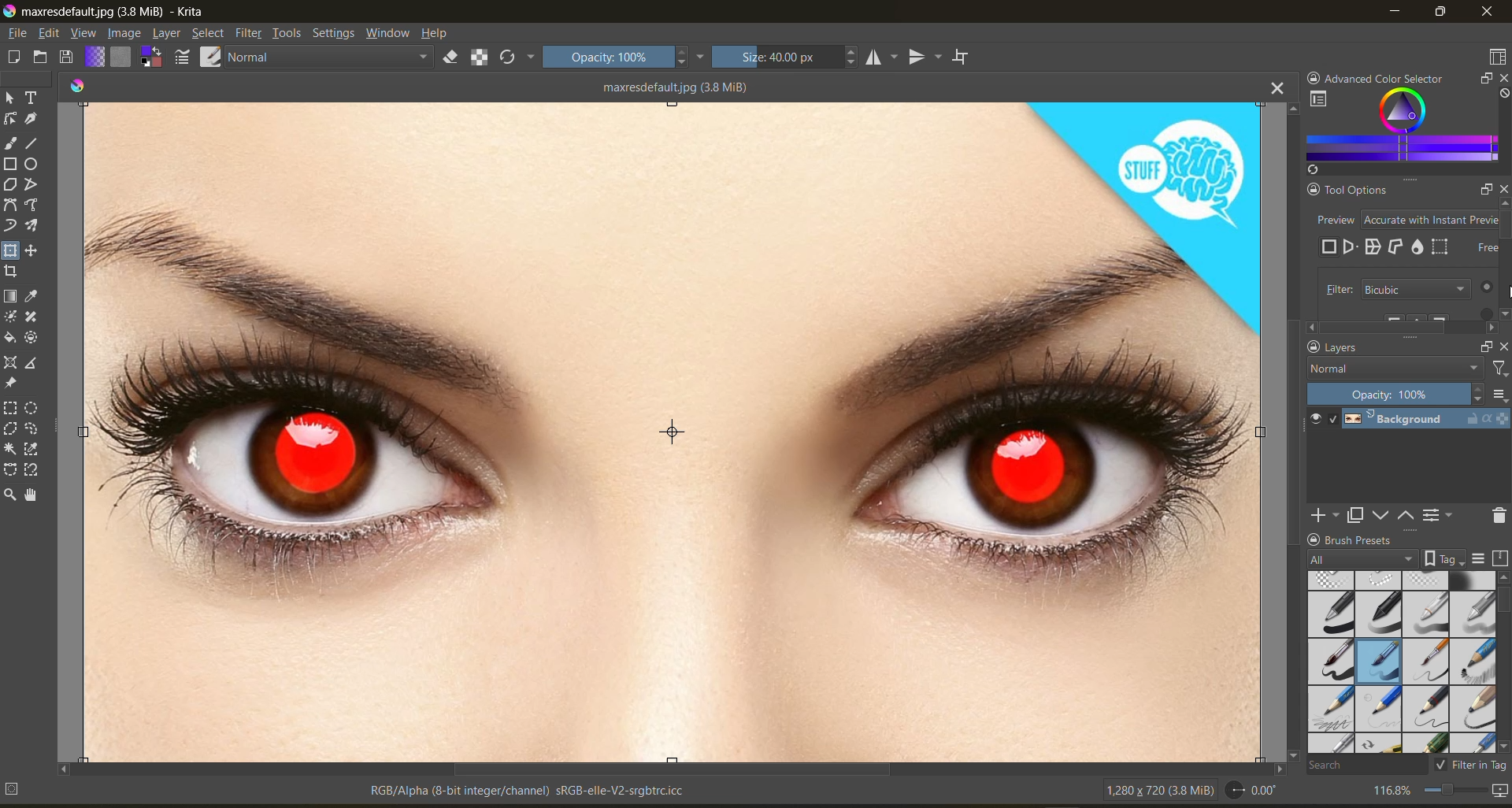 The width and height of the screenshot is (1512, 808). What do you see at coordinates (336, 35) in the screenshot?
I see `settings` at bounding box center [336, 35].